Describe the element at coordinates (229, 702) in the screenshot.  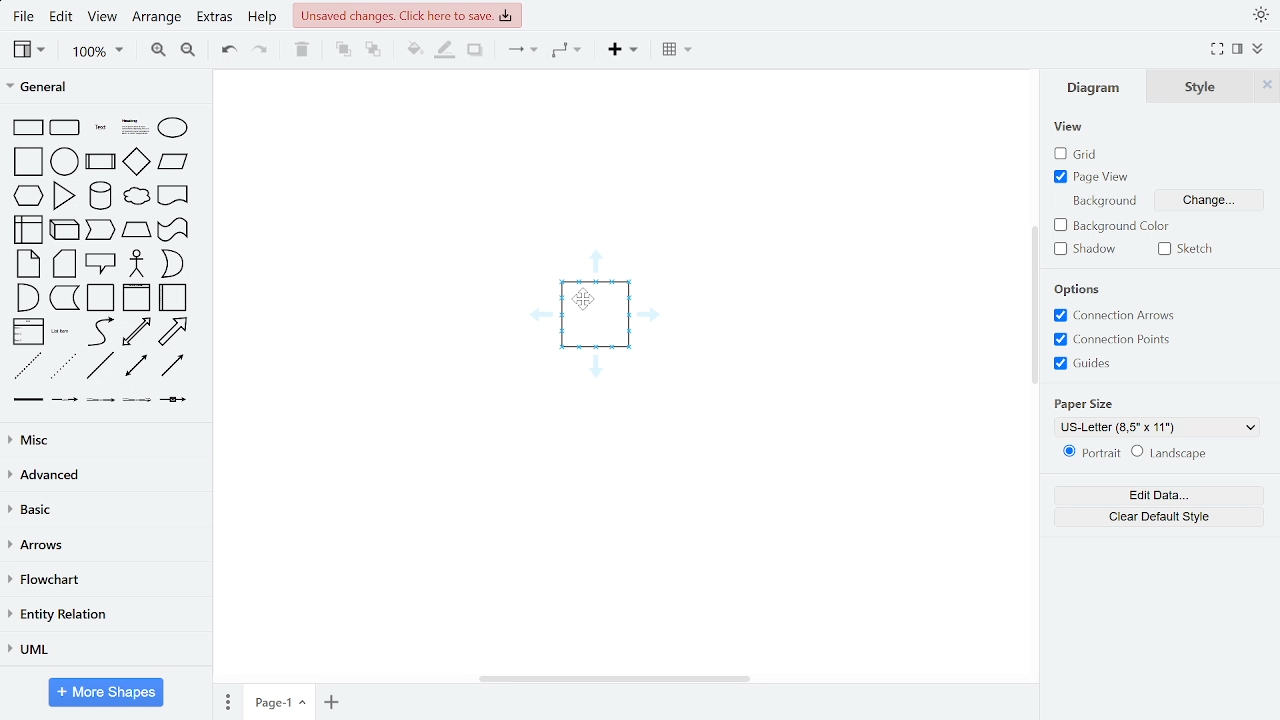
I see `pages` at that location.